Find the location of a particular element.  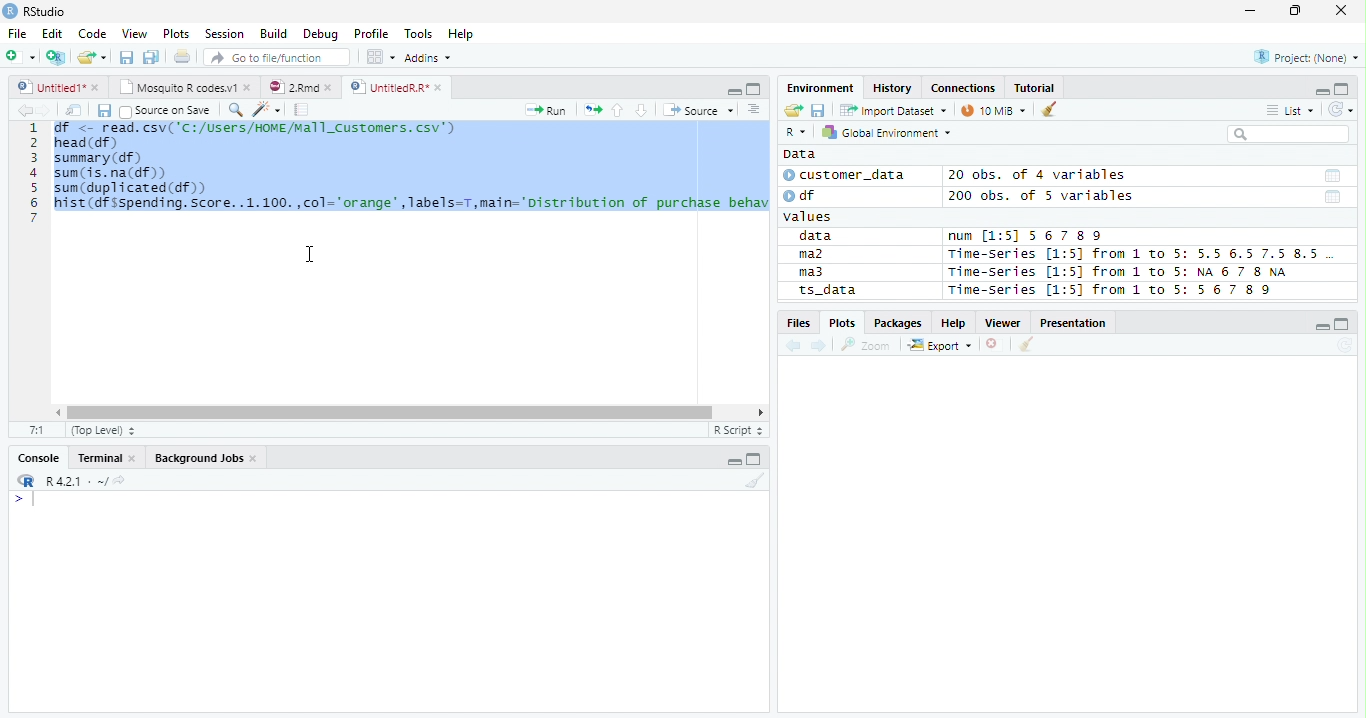

Go to file/function is located at coordinates (274, 58).